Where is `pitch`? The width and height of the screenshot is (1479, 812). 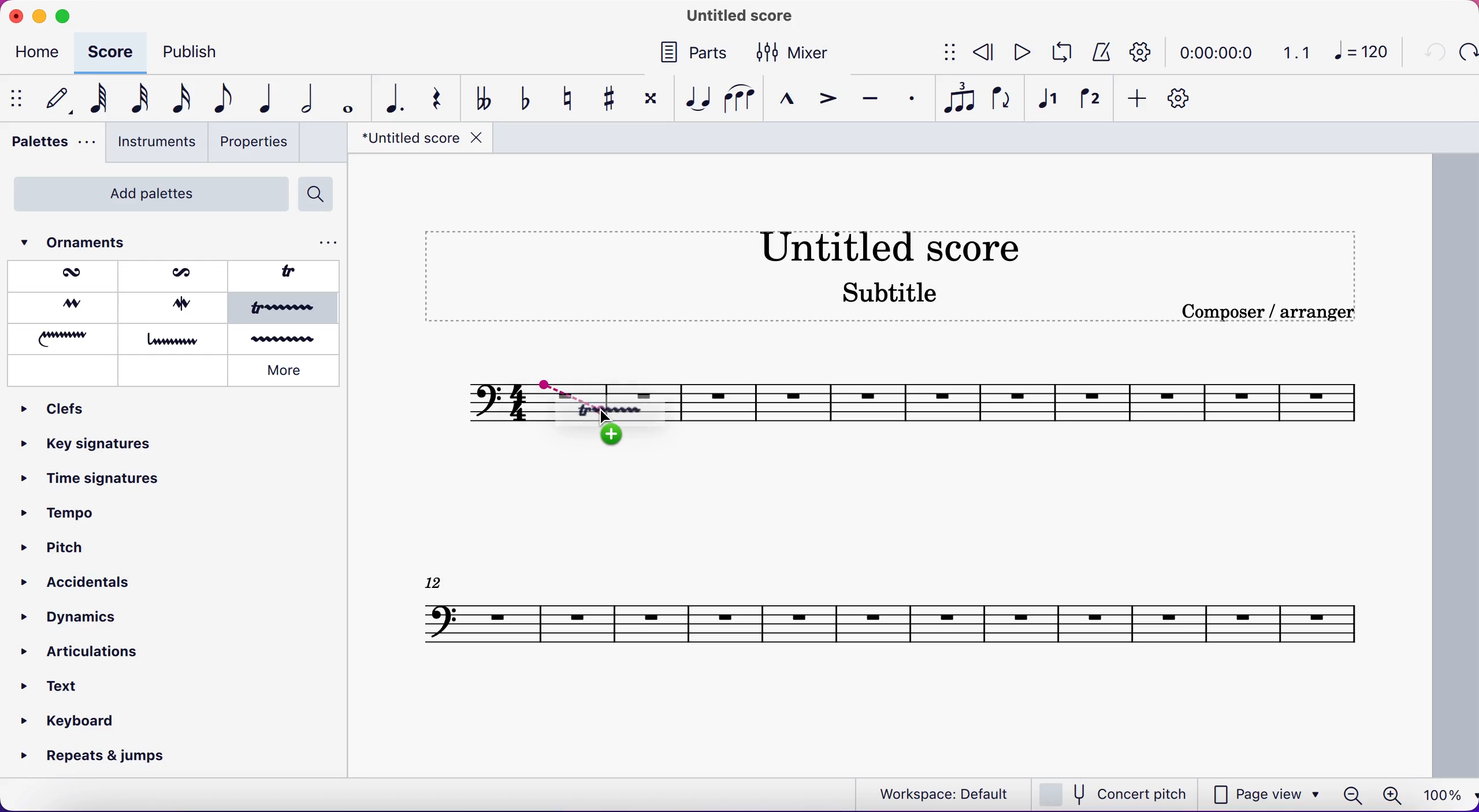
pitch is located at coordinates (53, 546).